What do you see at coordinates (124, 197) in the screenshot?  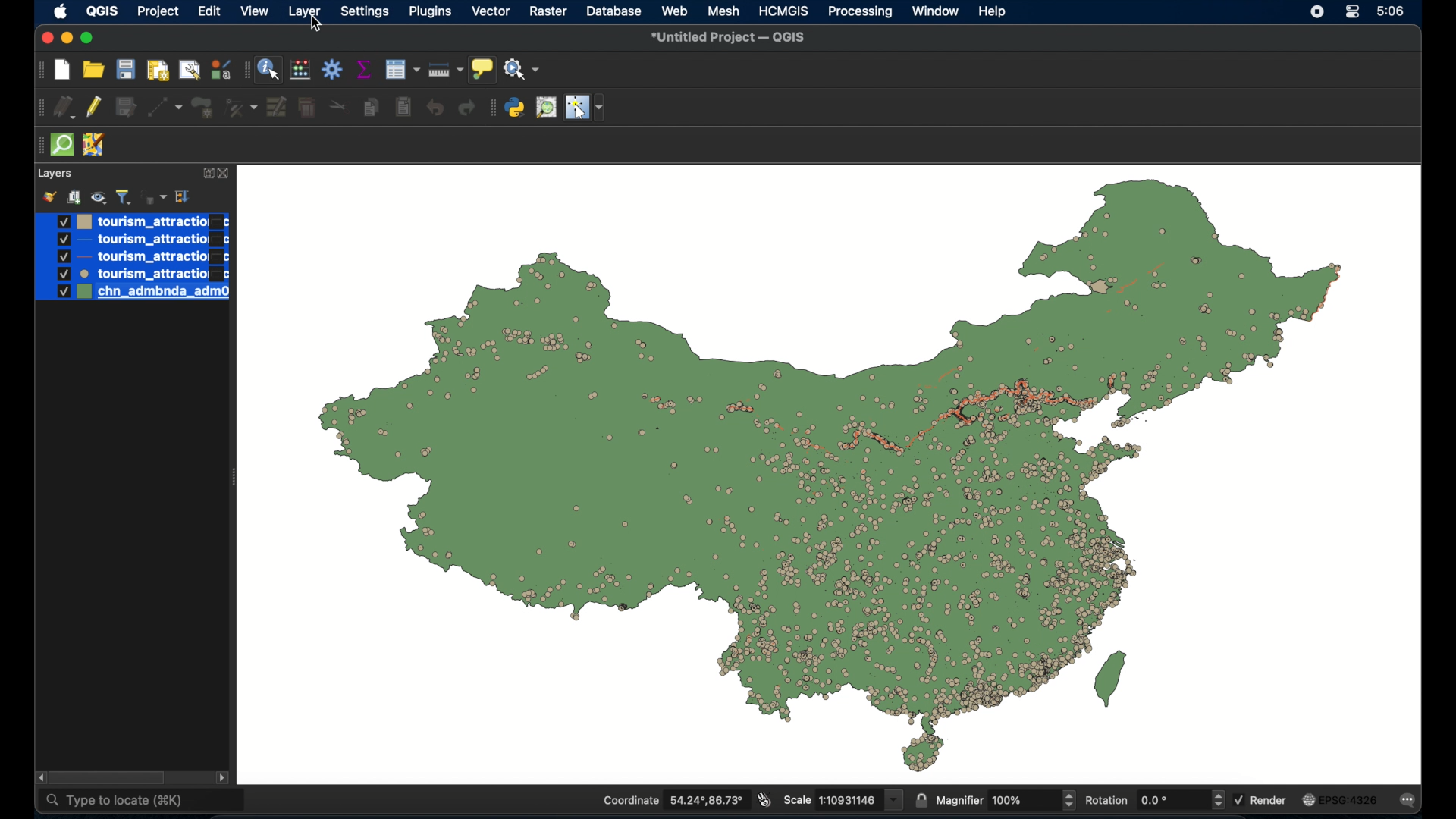 I see `filter legend` at bounding box center [124, 197].